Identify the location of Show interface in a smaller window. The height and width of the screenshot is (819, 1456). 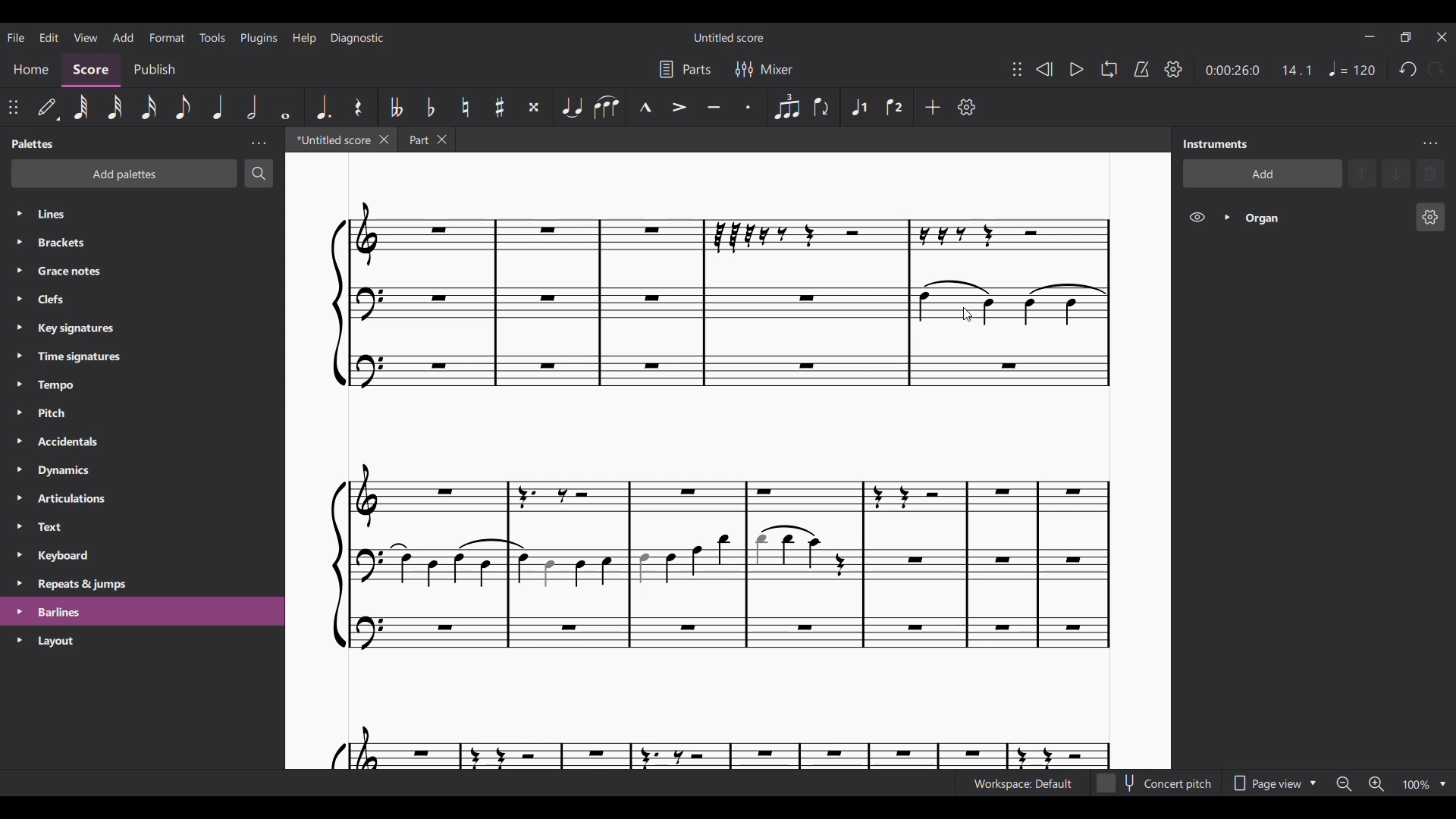
(1405, 37).